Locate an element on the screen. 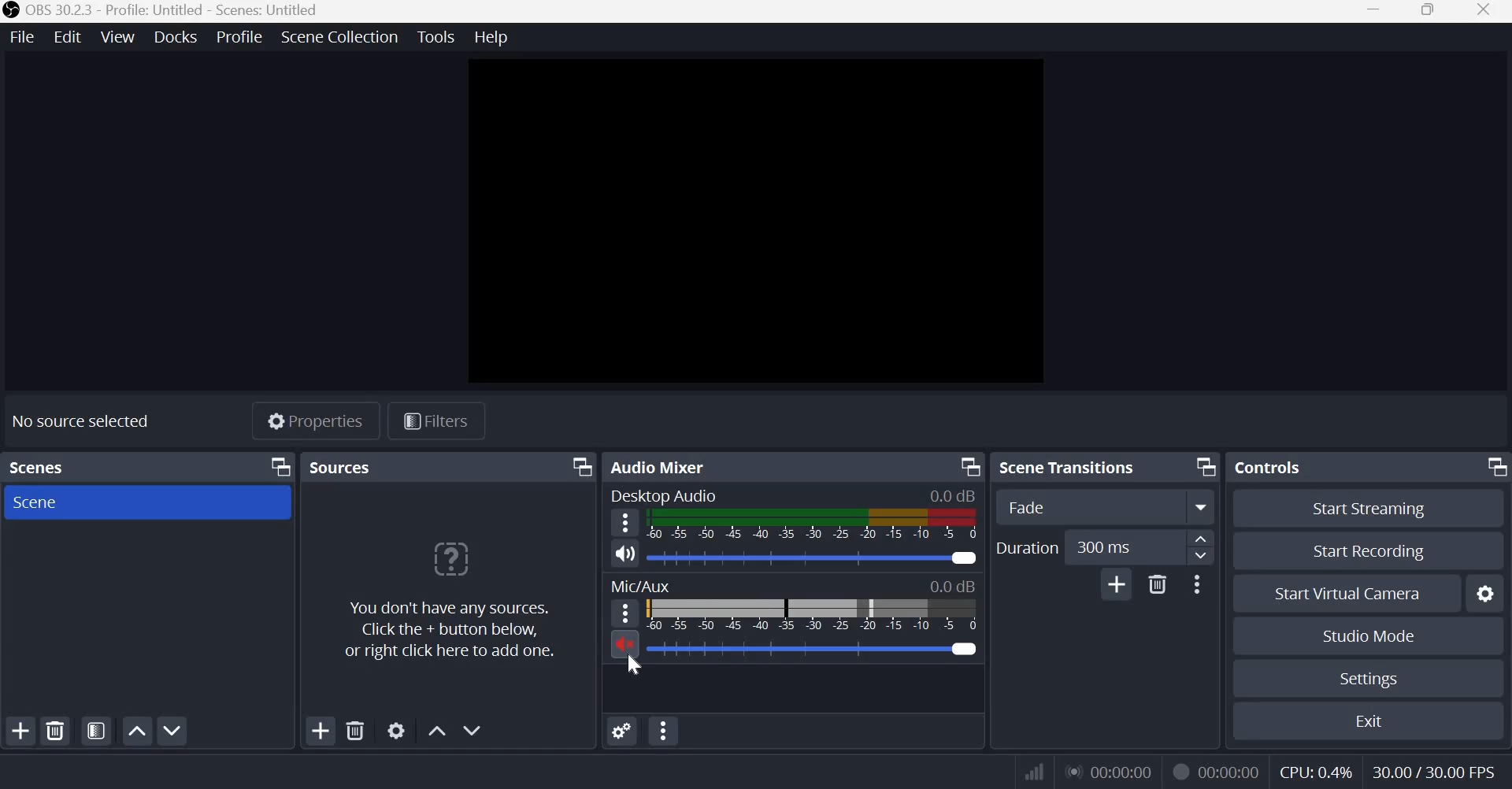 This screenshot has height=789, width=1512. Mic/Aux is located at coordinates (639, 587).